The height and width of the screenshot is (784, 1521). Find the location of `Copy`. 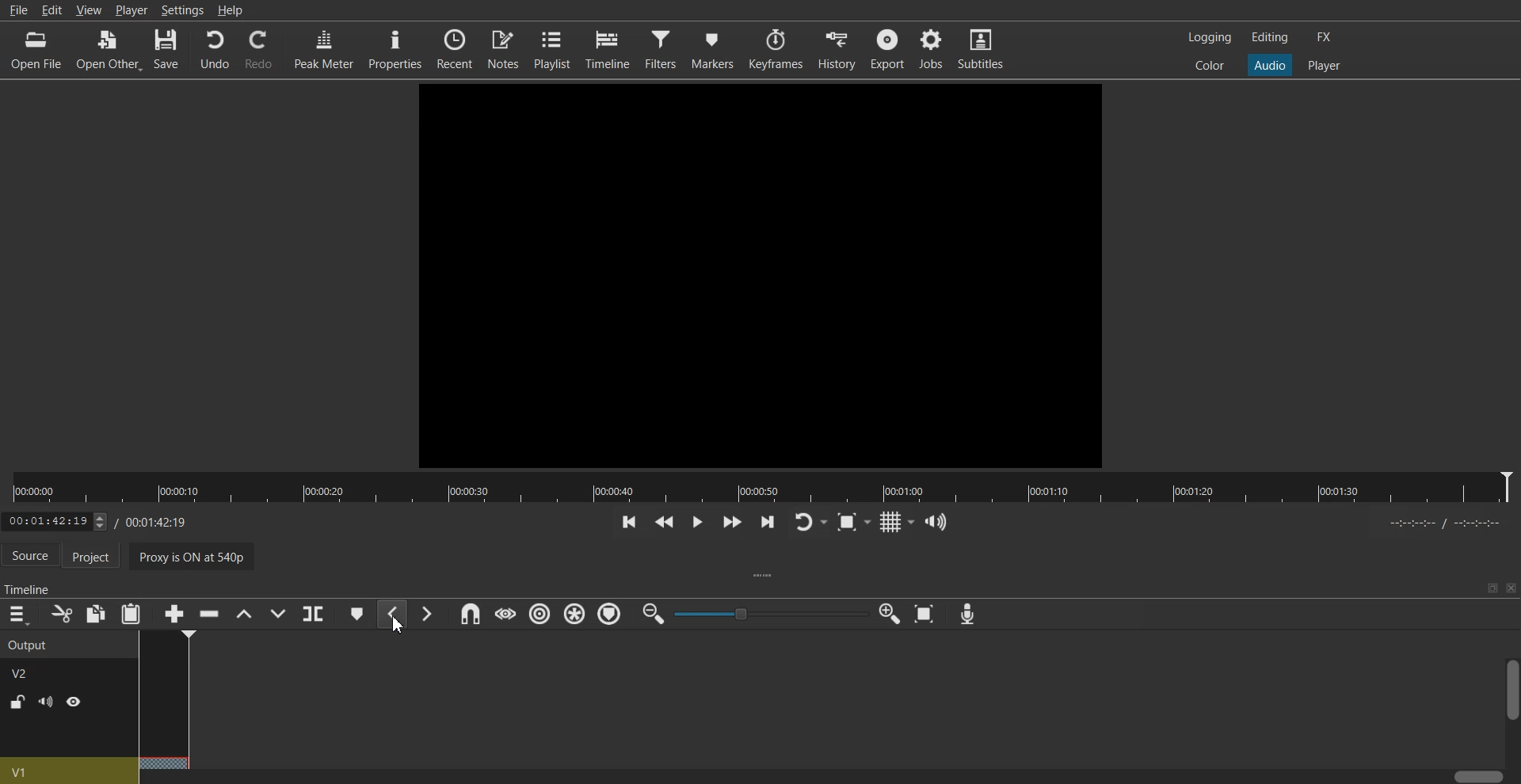

Copy is located at coordinates (97, 613).